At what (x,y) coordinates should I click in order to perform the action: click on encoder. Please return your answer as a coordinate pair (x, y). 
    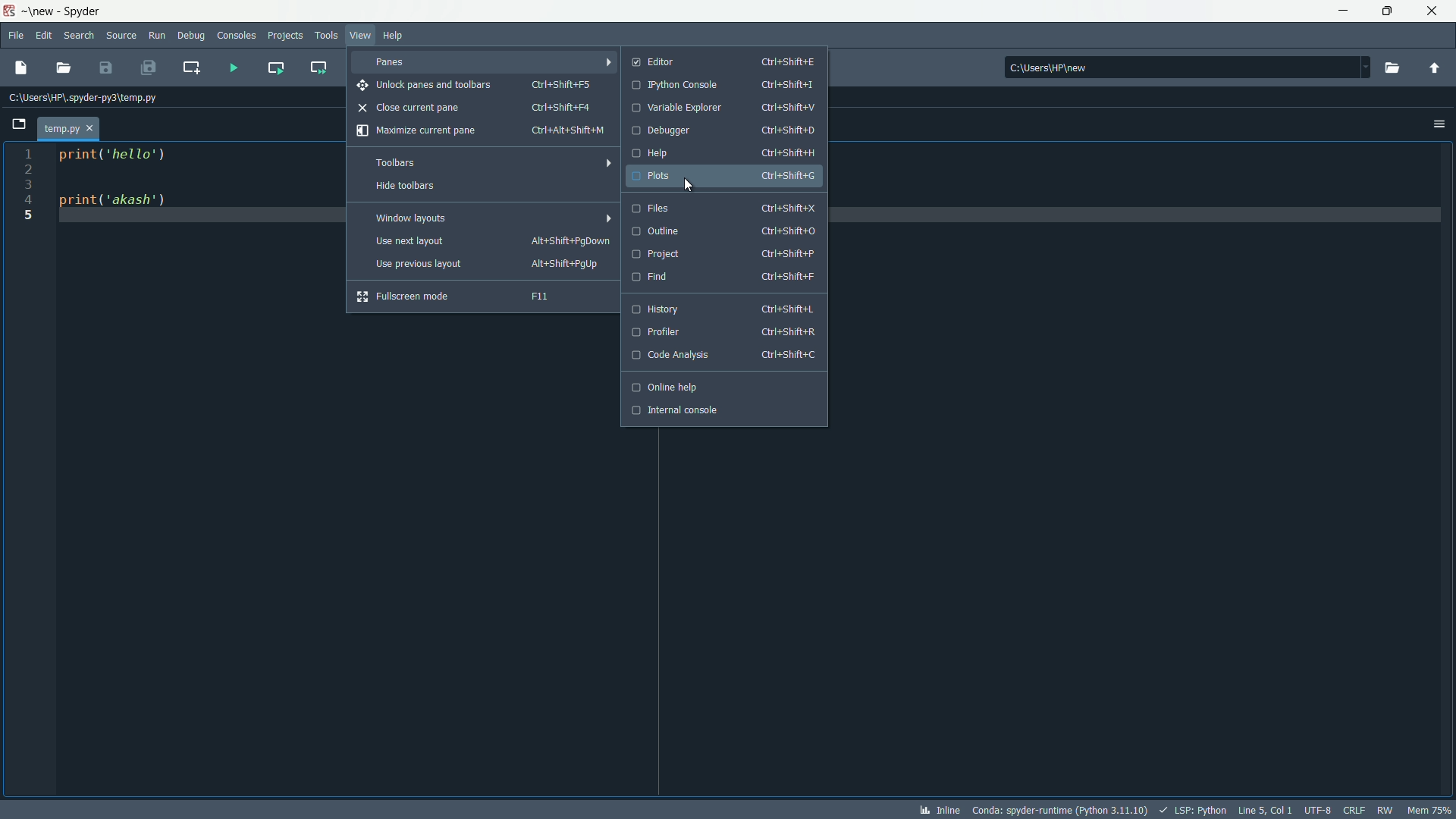
    Looking at the image, I should click on (1319, 810).